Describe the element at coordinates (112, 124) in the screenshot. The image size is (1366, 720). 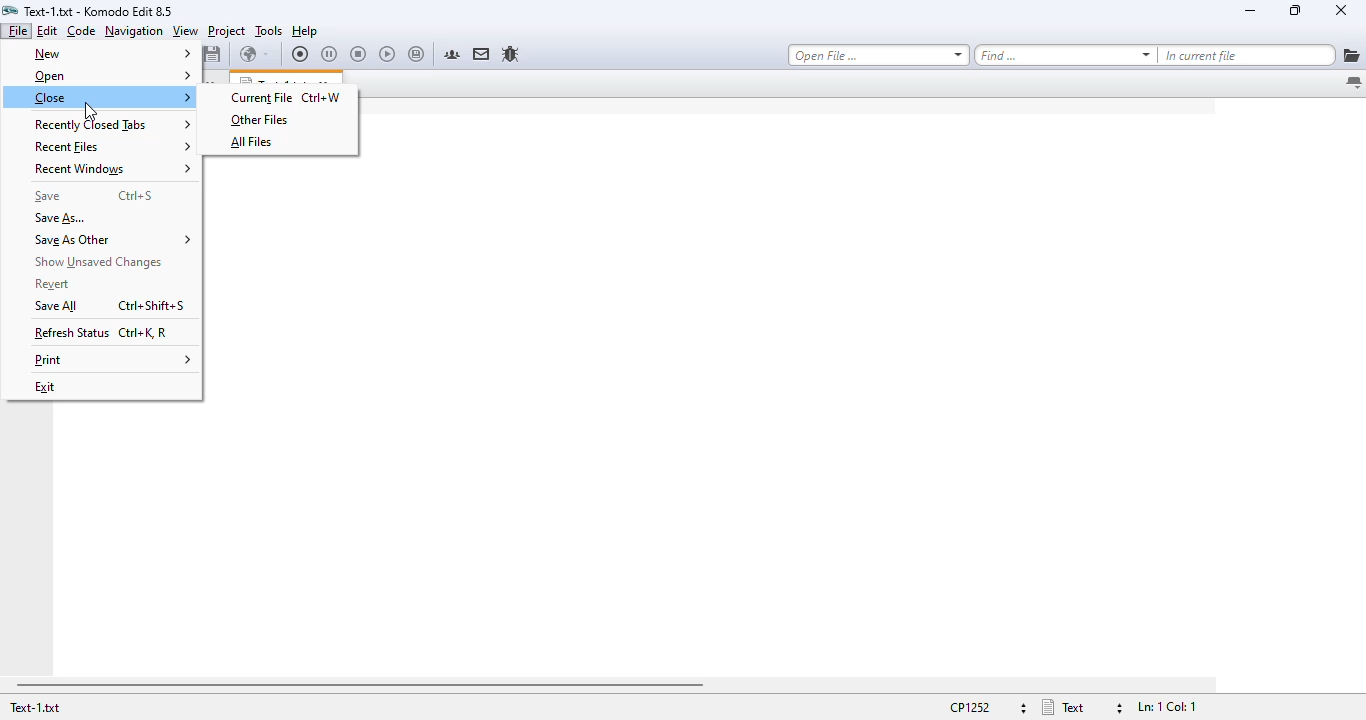
I see `recently closed tabs` at that location.